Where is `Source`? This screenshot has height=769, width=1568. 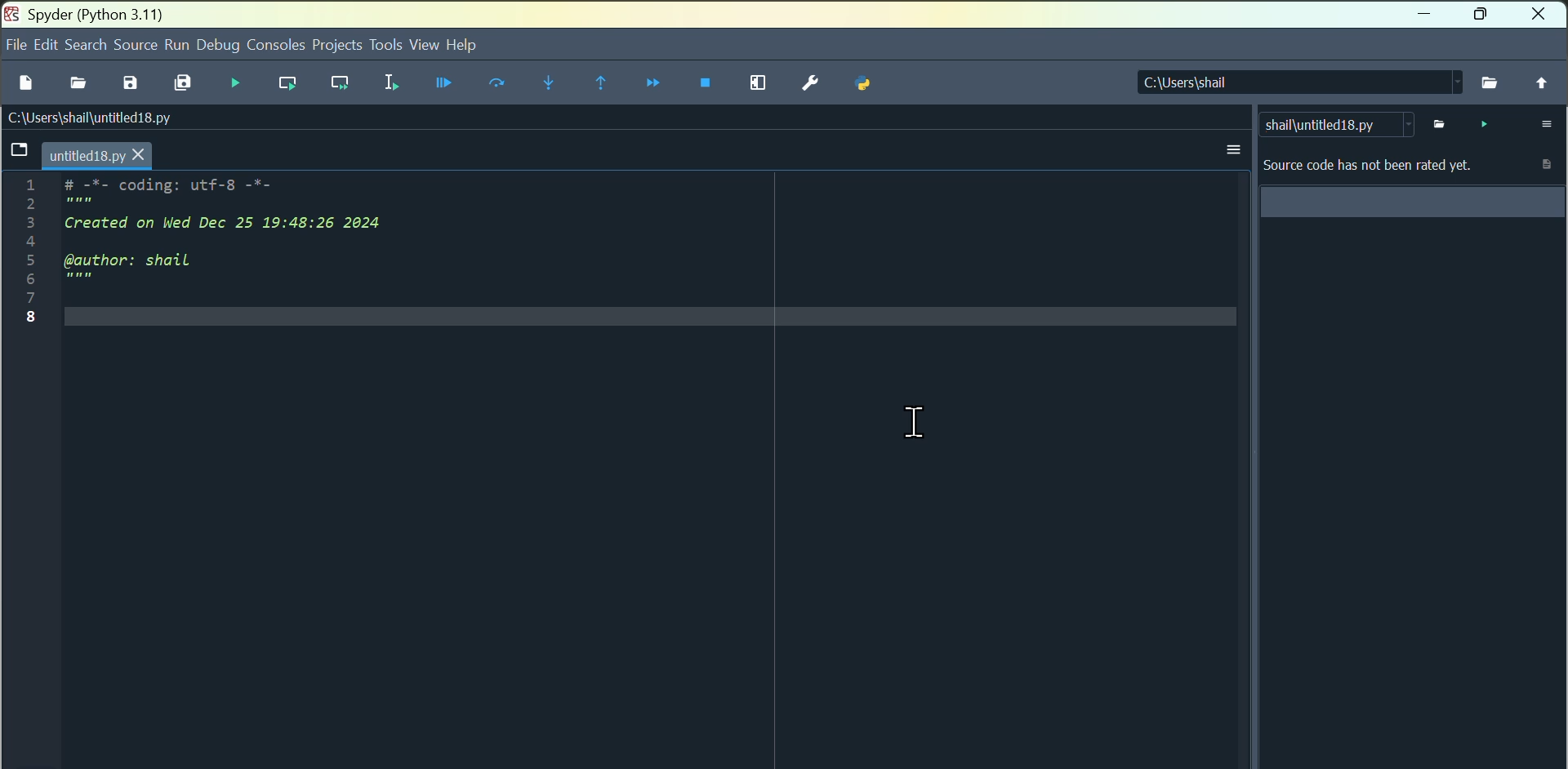 Source is located at coordinates (136, 47).